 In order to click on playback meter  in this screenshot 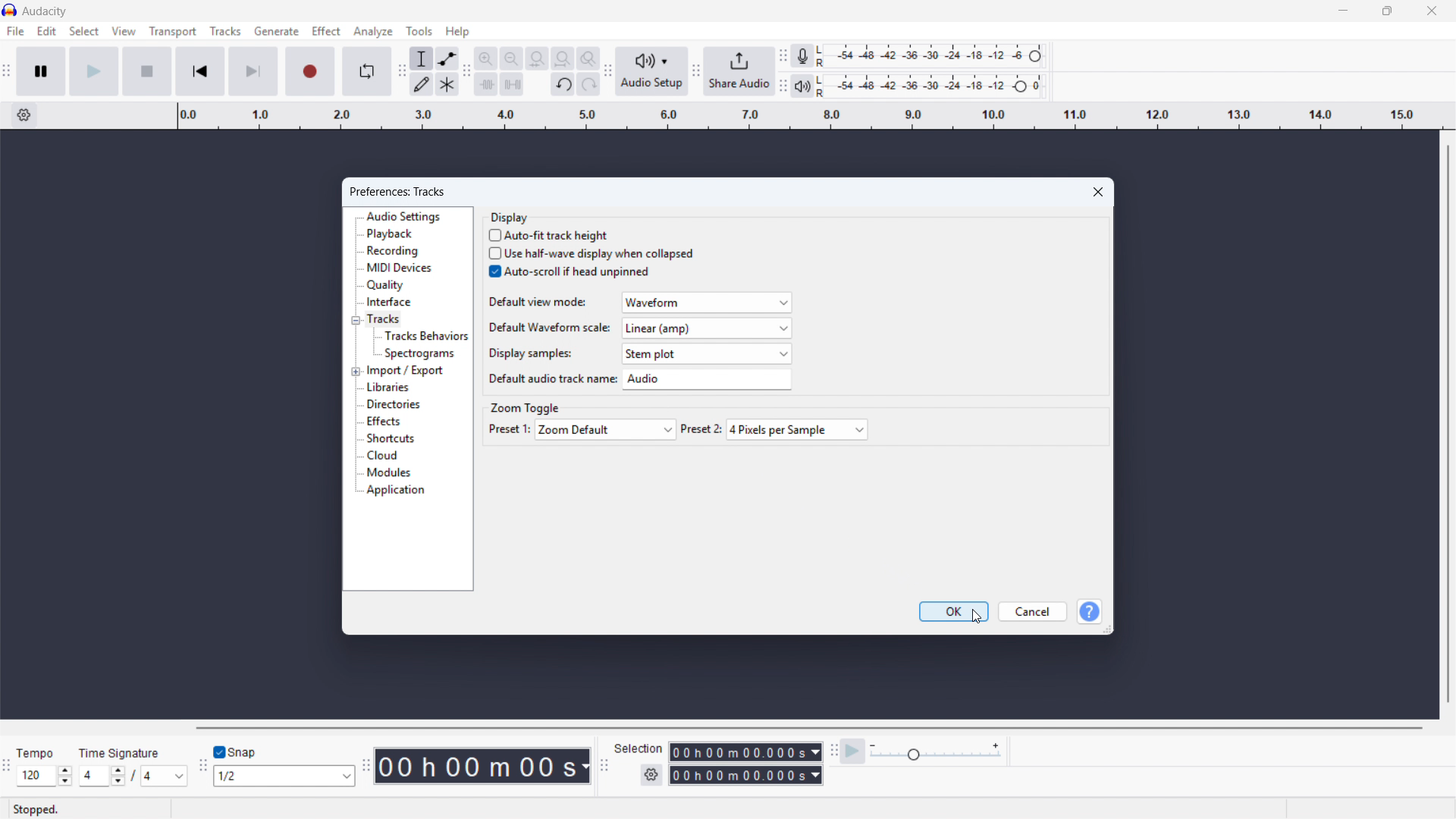, I will do `click(803, 86)`.